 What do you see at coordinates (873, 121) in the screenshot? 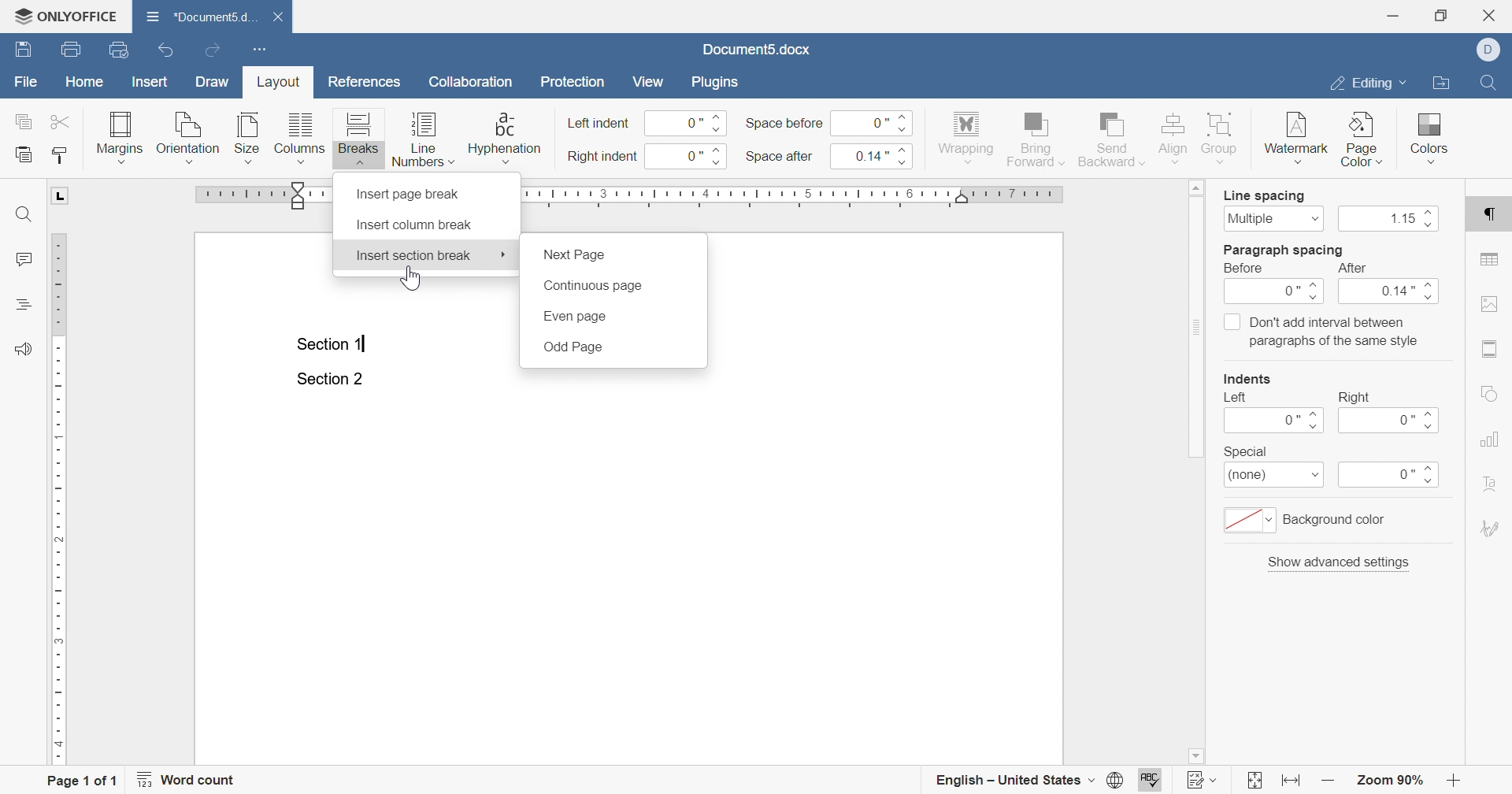
I see `0` at bounding box center [873, 121].